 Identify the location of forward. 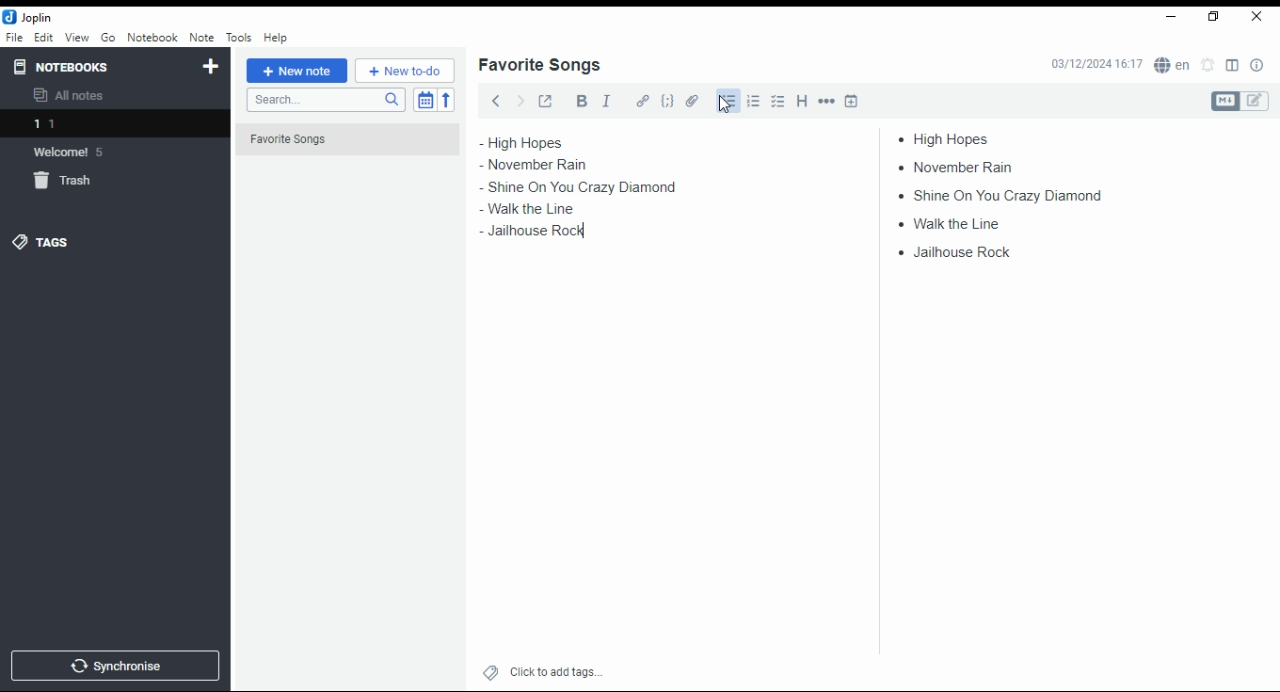
(520, 99).